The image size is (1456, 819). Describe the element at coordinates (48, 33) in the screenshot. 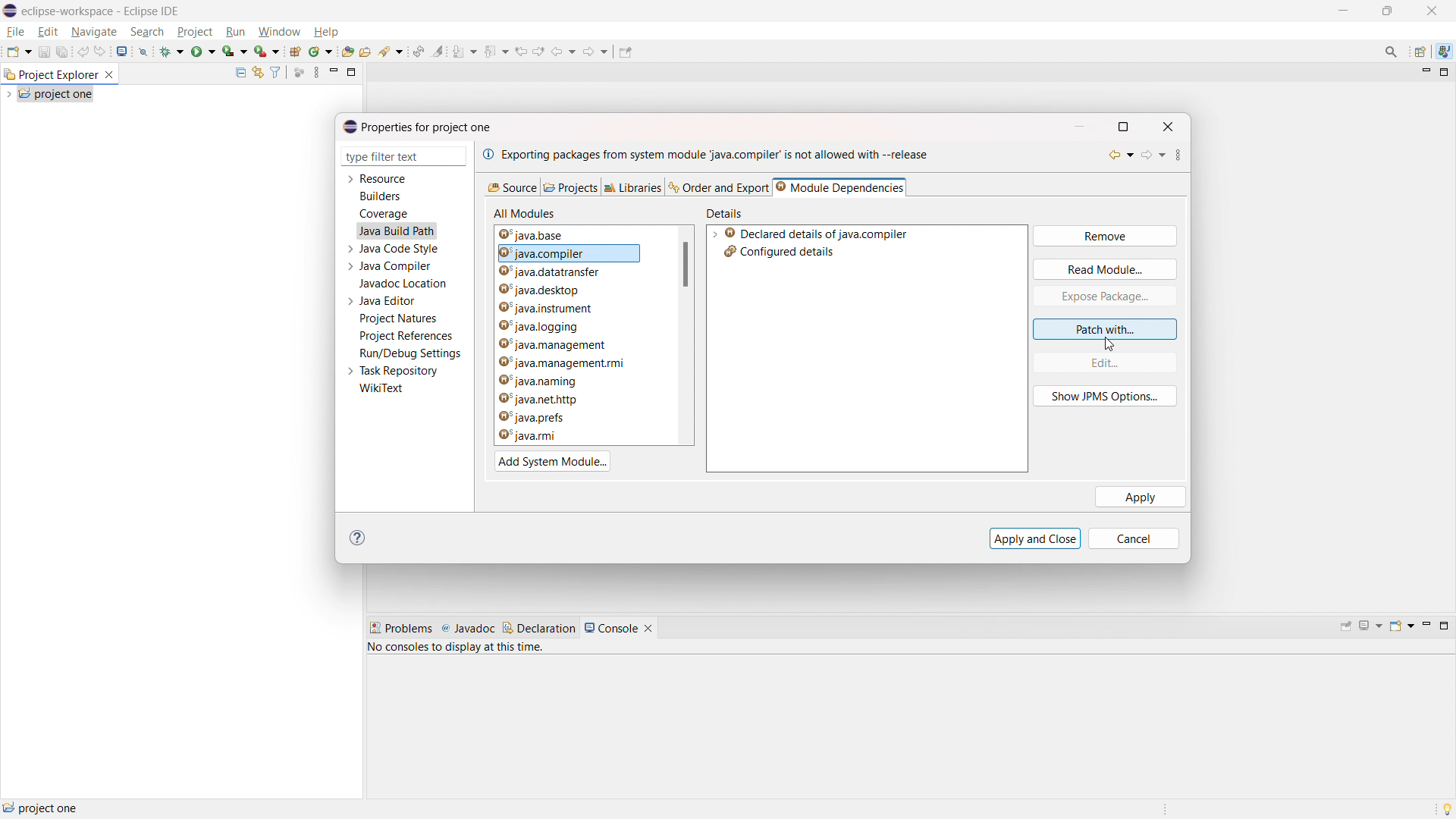

I see `edit` at that location.